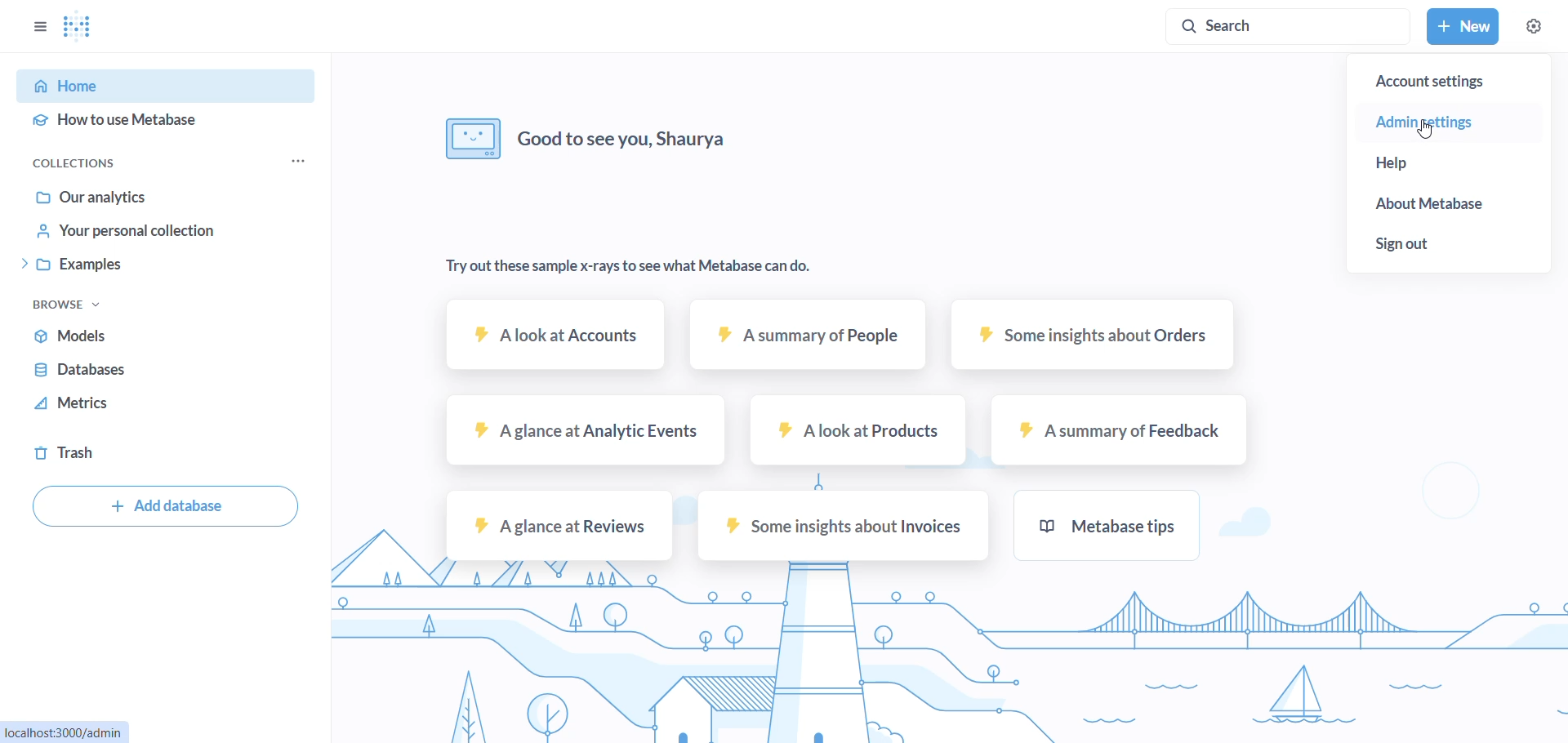 The height and width of the screenshot is (743, 1568). Describe the element at coordinates (37, 27) in the screenshot. I see `options` at that location.